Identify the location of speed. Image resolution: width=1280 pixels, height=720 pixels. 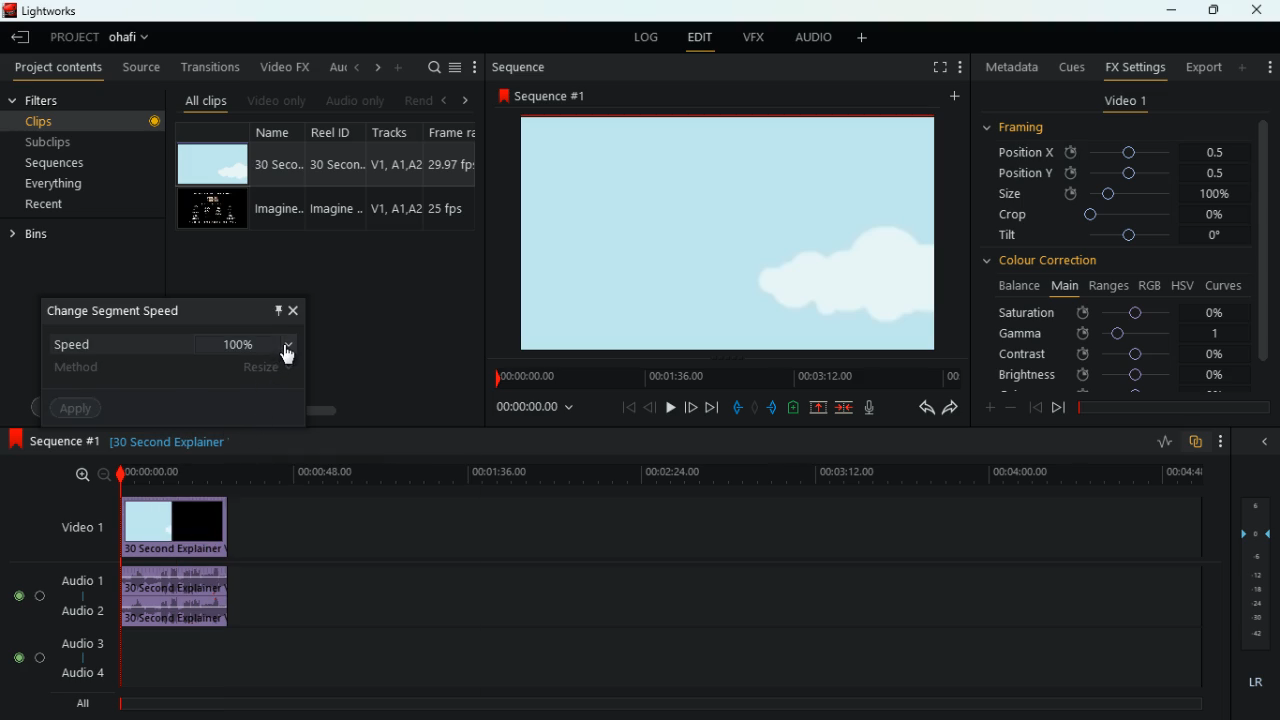
(174, 344).